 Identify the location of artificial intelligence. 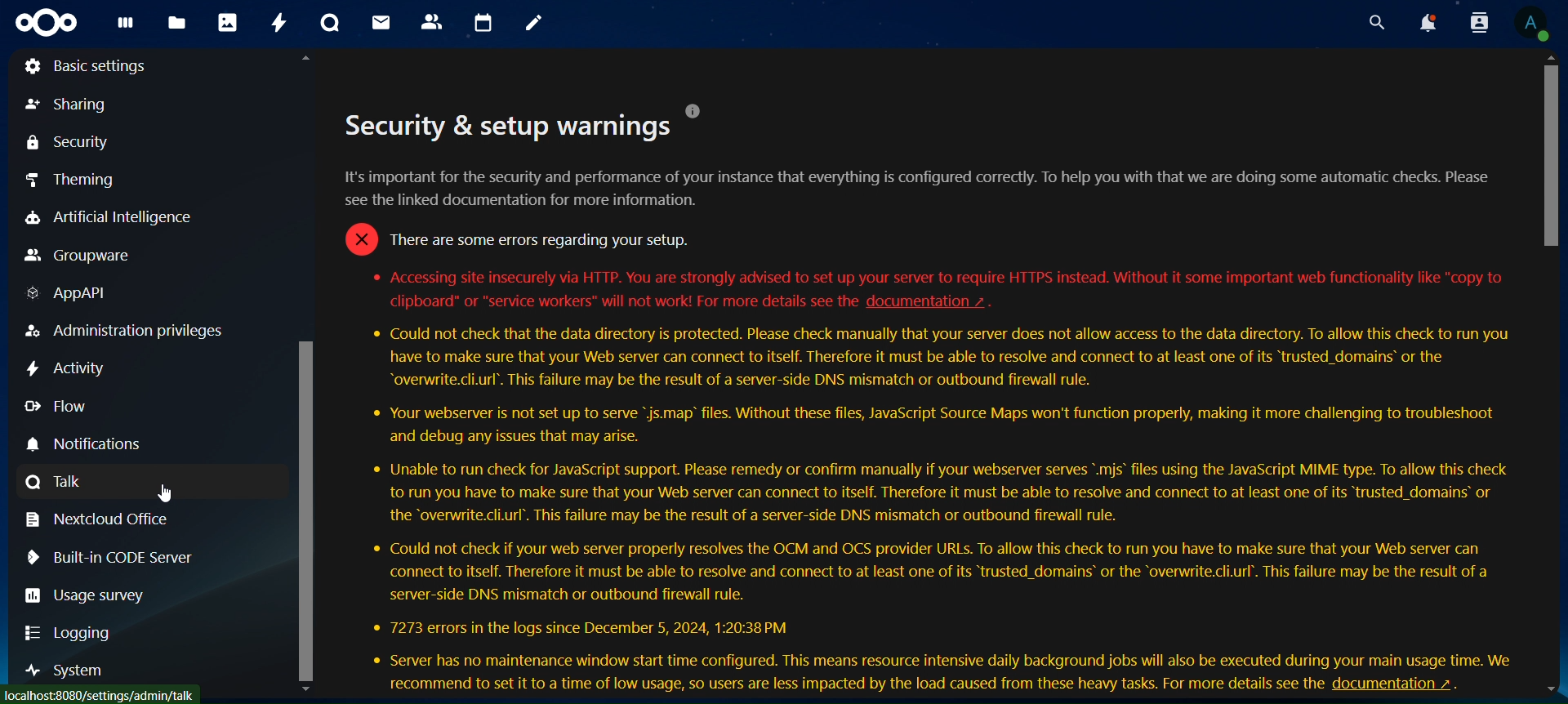
(112, 218).